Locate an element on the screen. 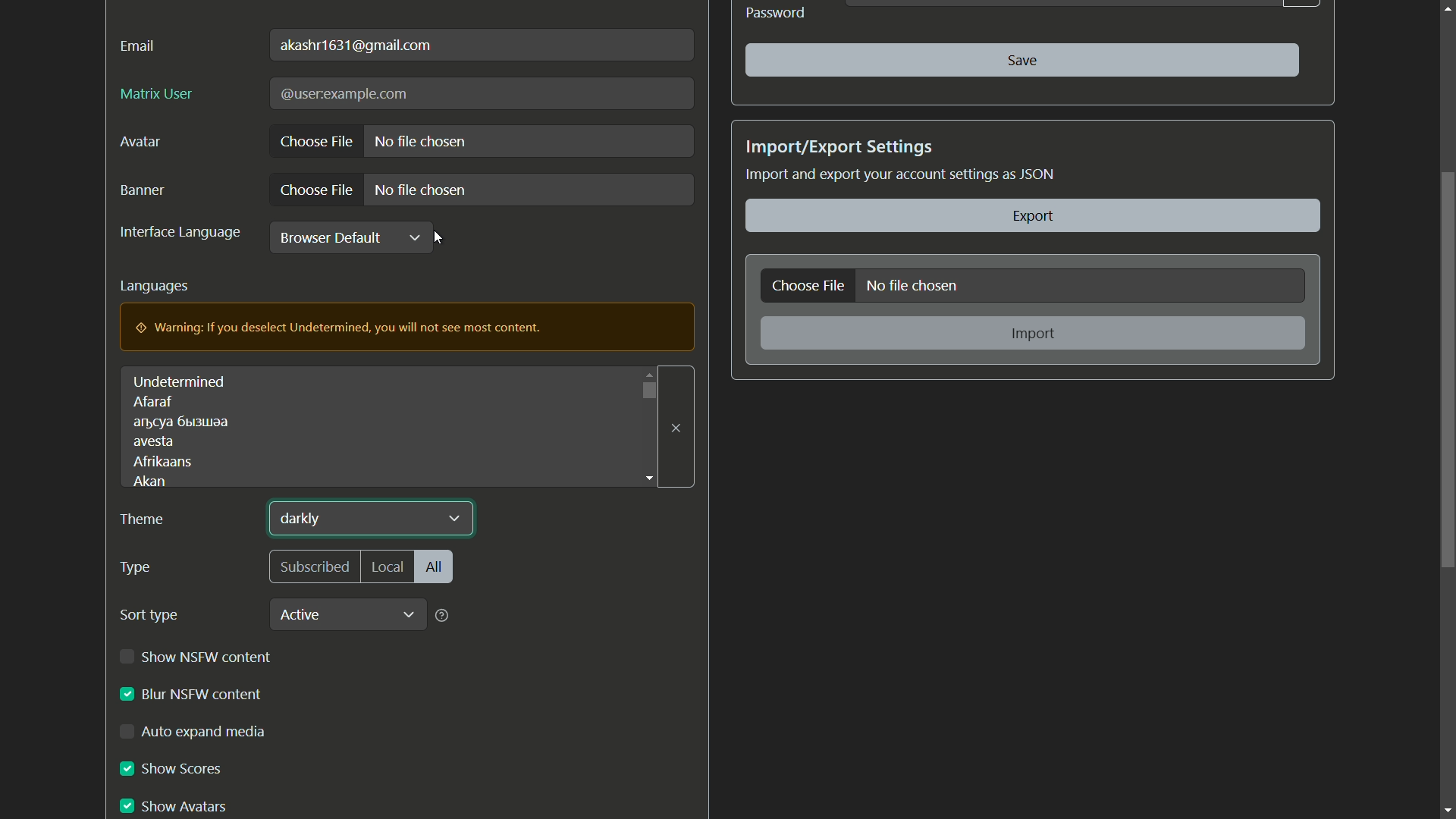 This screenshot has width=1456, height=819. afaraf is located at coordinates (152, 402).